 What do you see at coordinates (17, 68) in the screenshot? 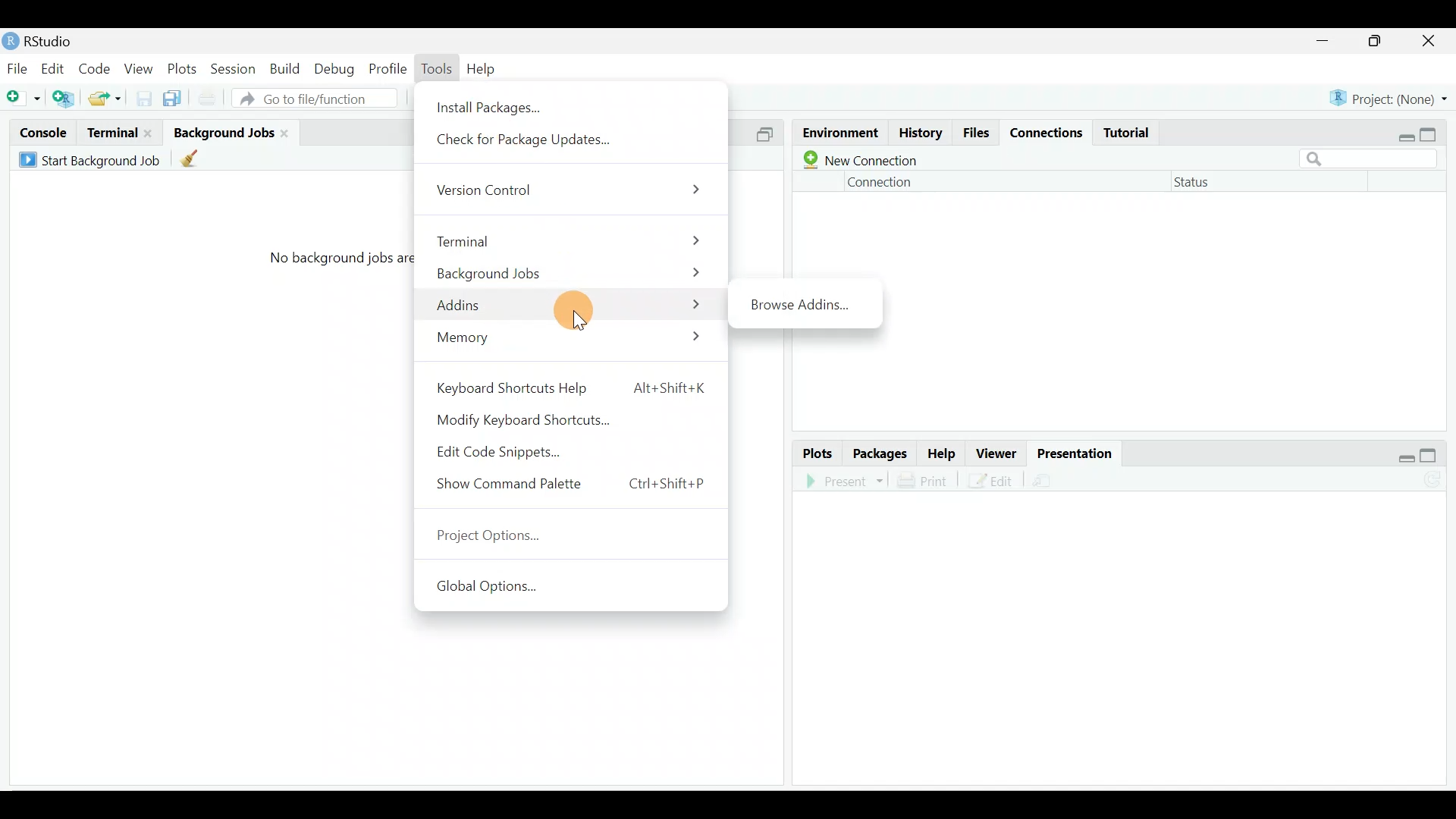
I see `File` at bounding box center [17, 68].